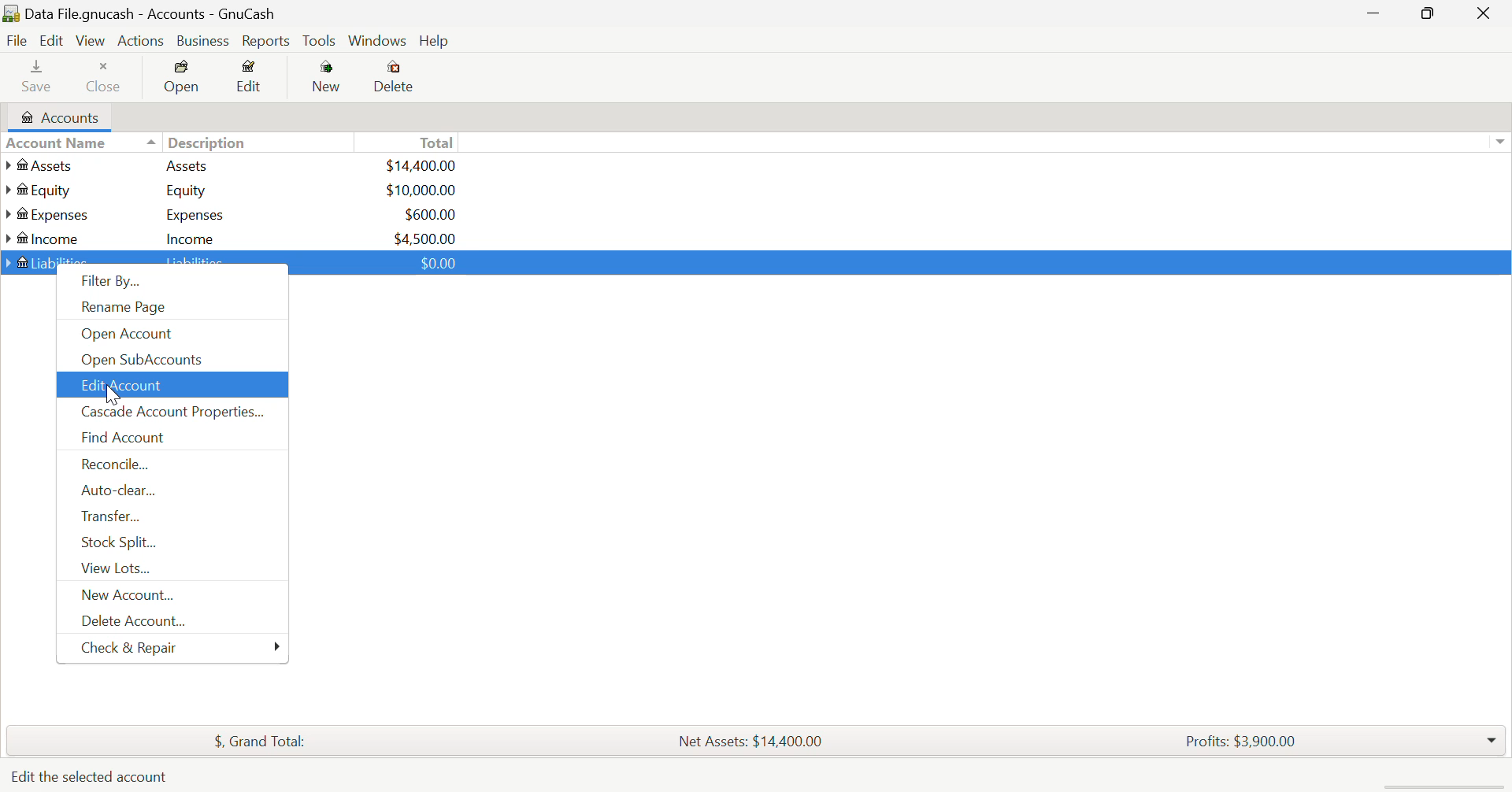 The height and width of the screenshot is (792, 1512). I want to click on Close Window, so click(1488, 13).